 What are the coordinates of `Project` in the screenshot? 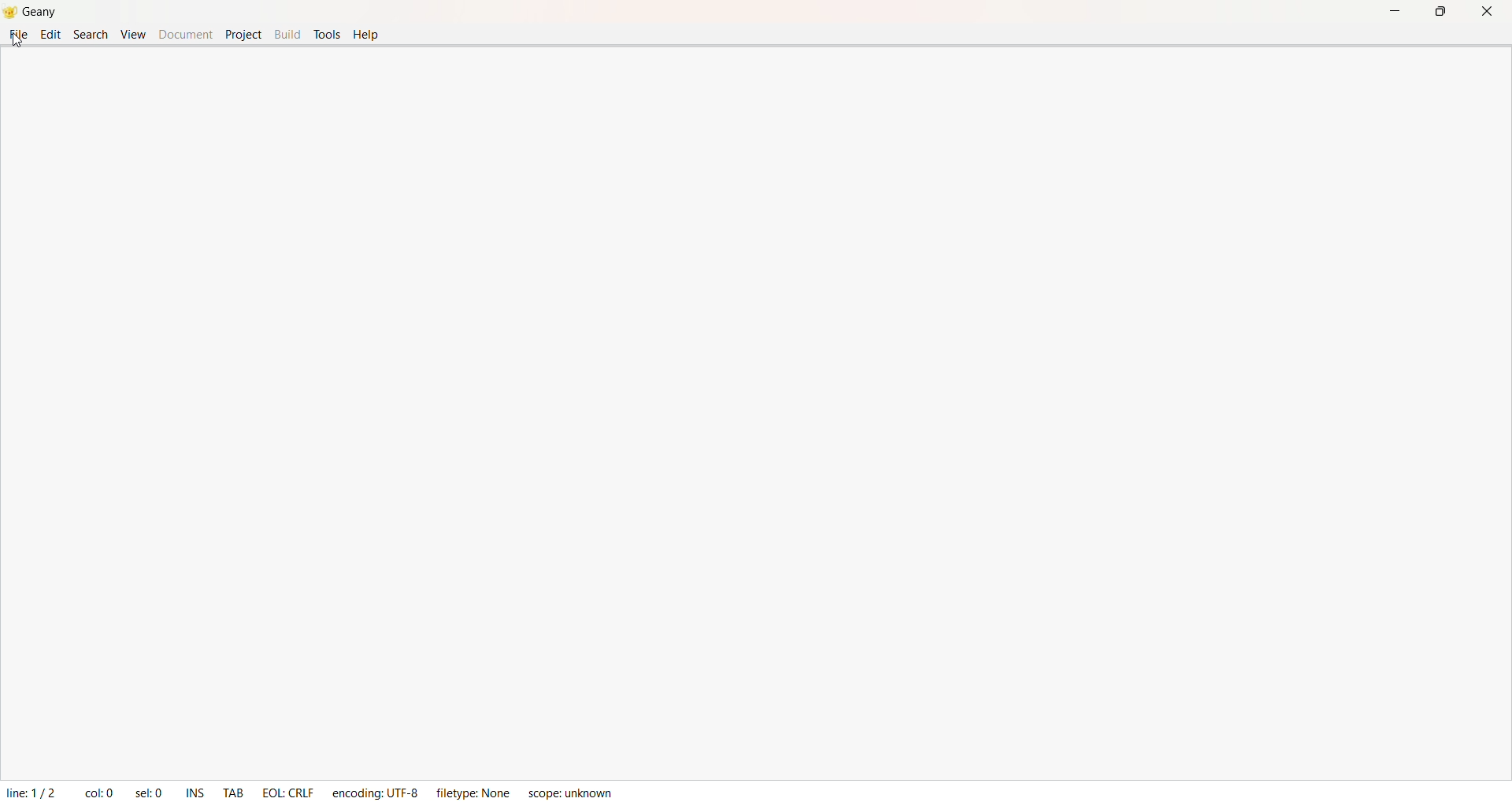 It's located at (243, 34).